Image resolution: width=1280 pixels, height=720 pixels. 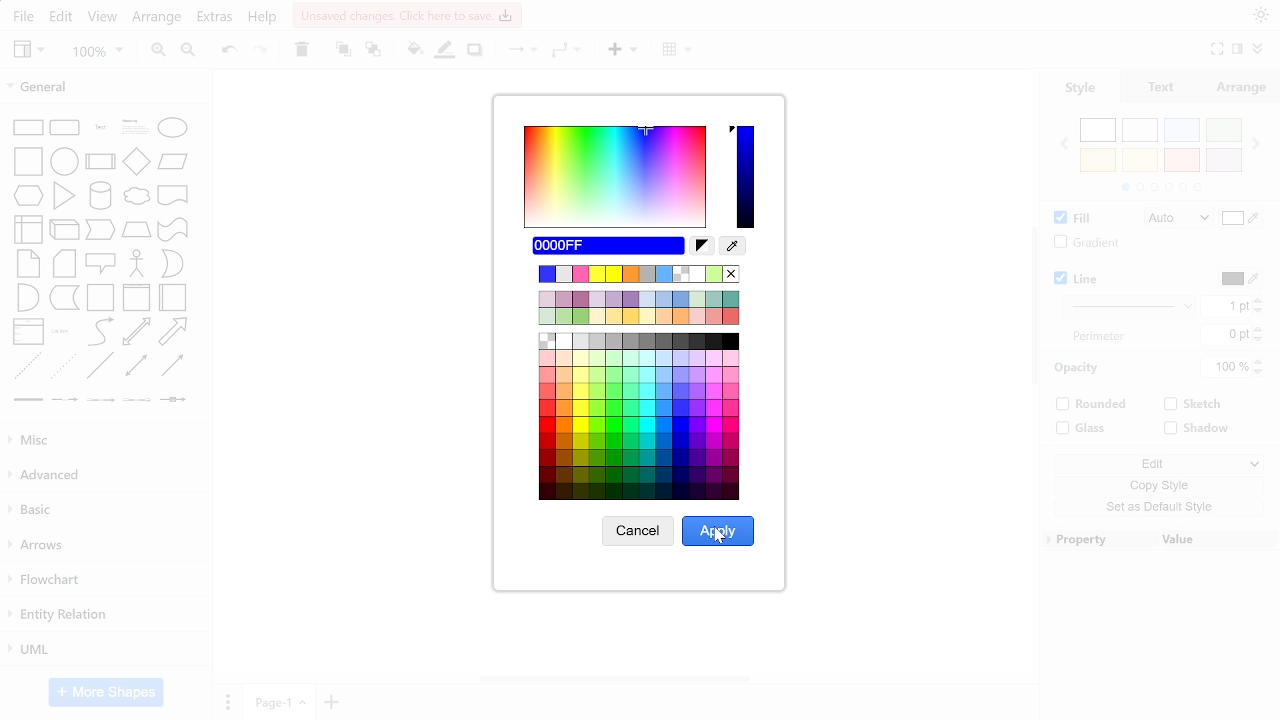 I want to click on connectors, so click(x=518, y=51).